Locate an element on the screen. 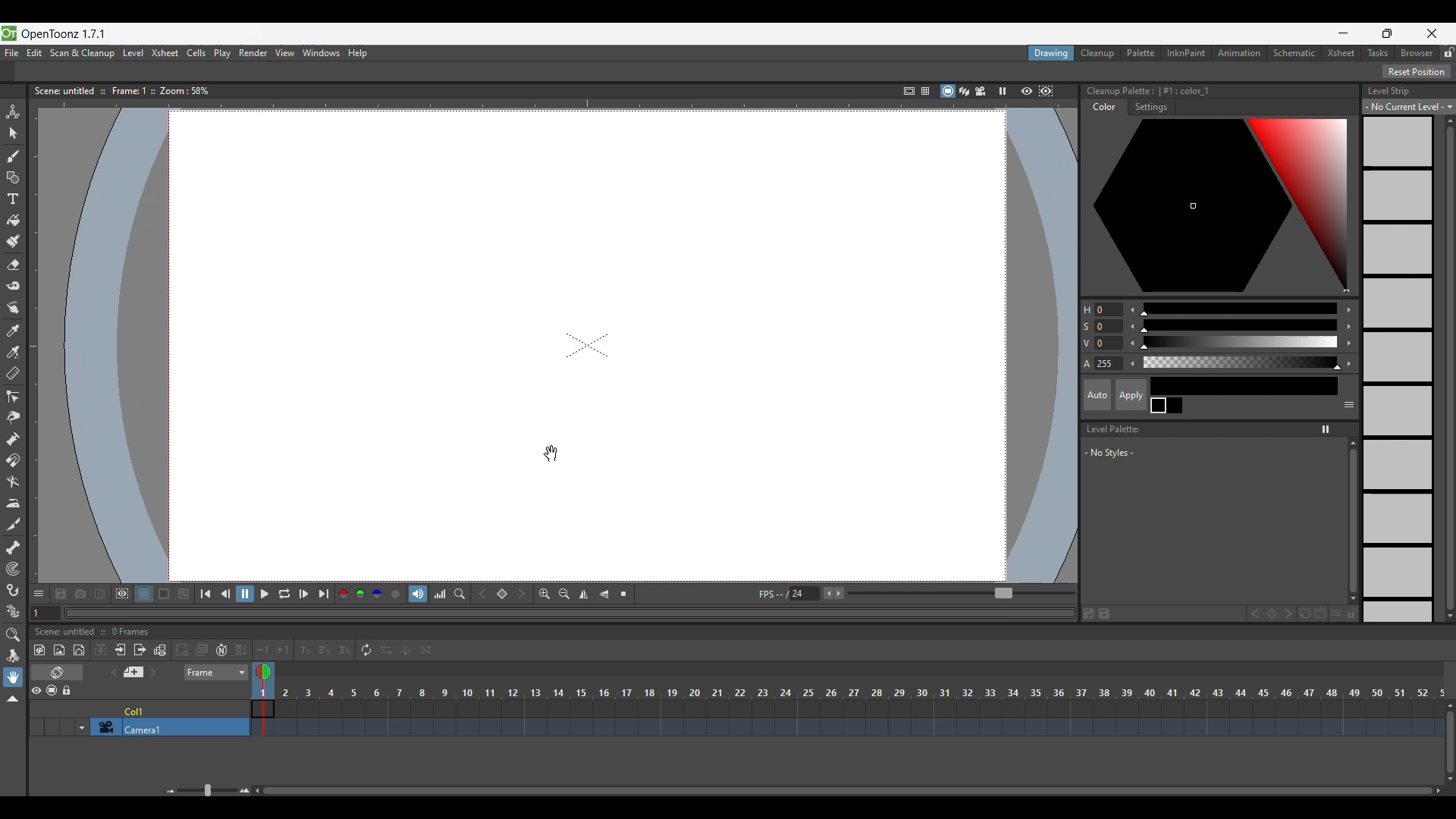  Previous key is located at coordinates (1247, 613).